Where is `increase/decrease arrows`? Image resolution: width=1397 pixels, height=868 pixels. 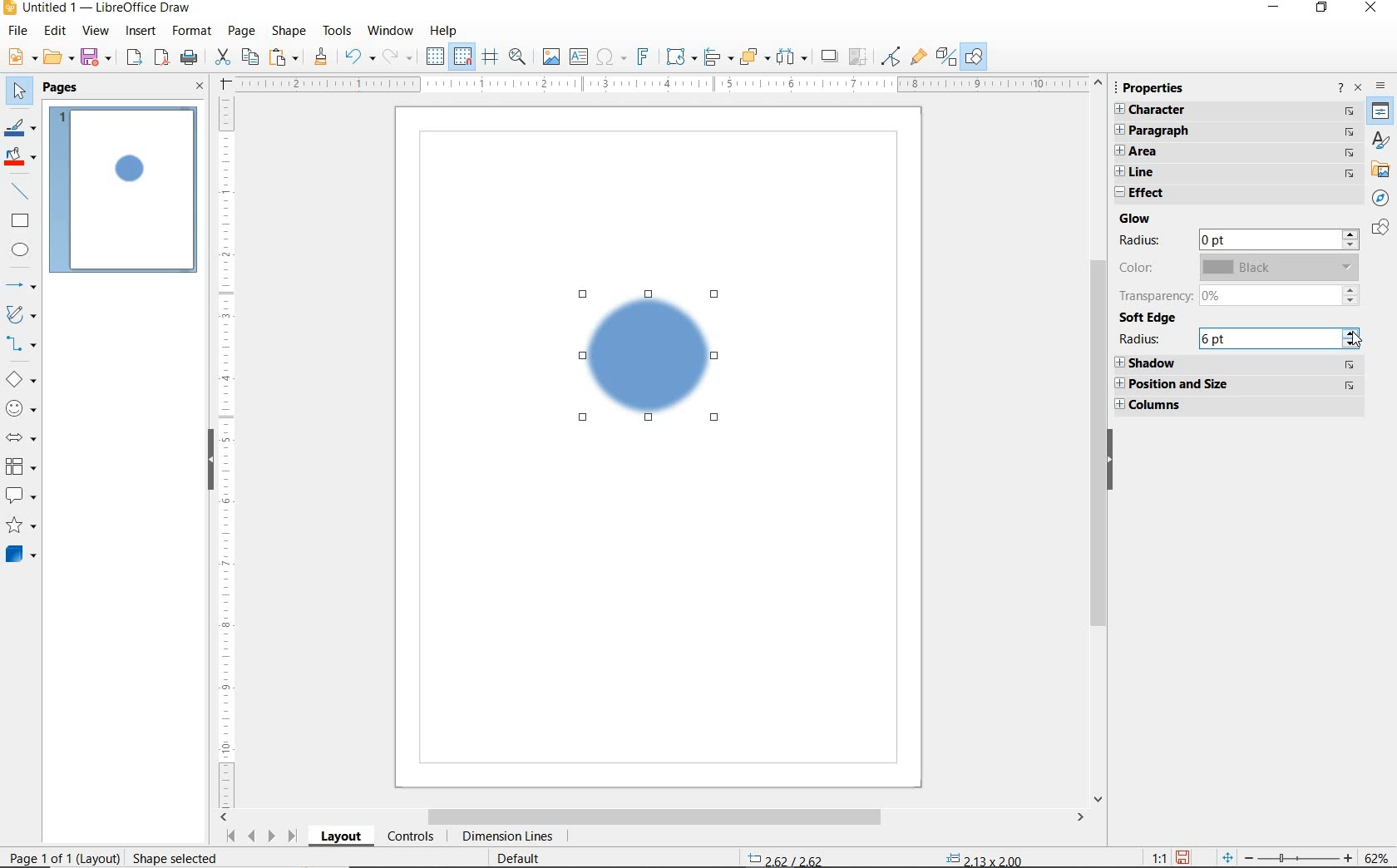 increase/decrease arrows is located at coordinates (1352, 292).